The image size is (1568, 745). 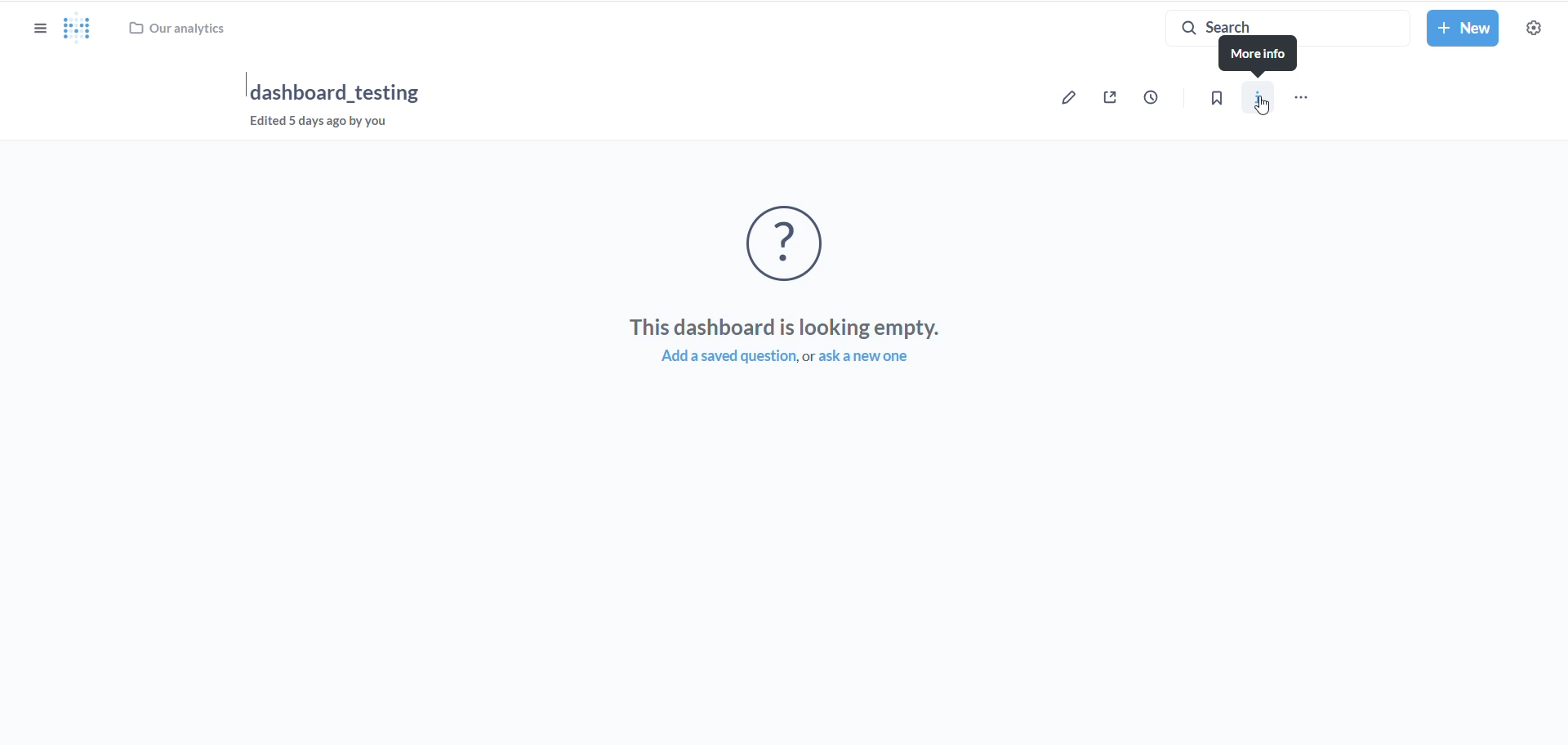 What do you see at coordinates (1277, 21) in the screenshot?
I see `search bar` at bounding box center [1277, 21].